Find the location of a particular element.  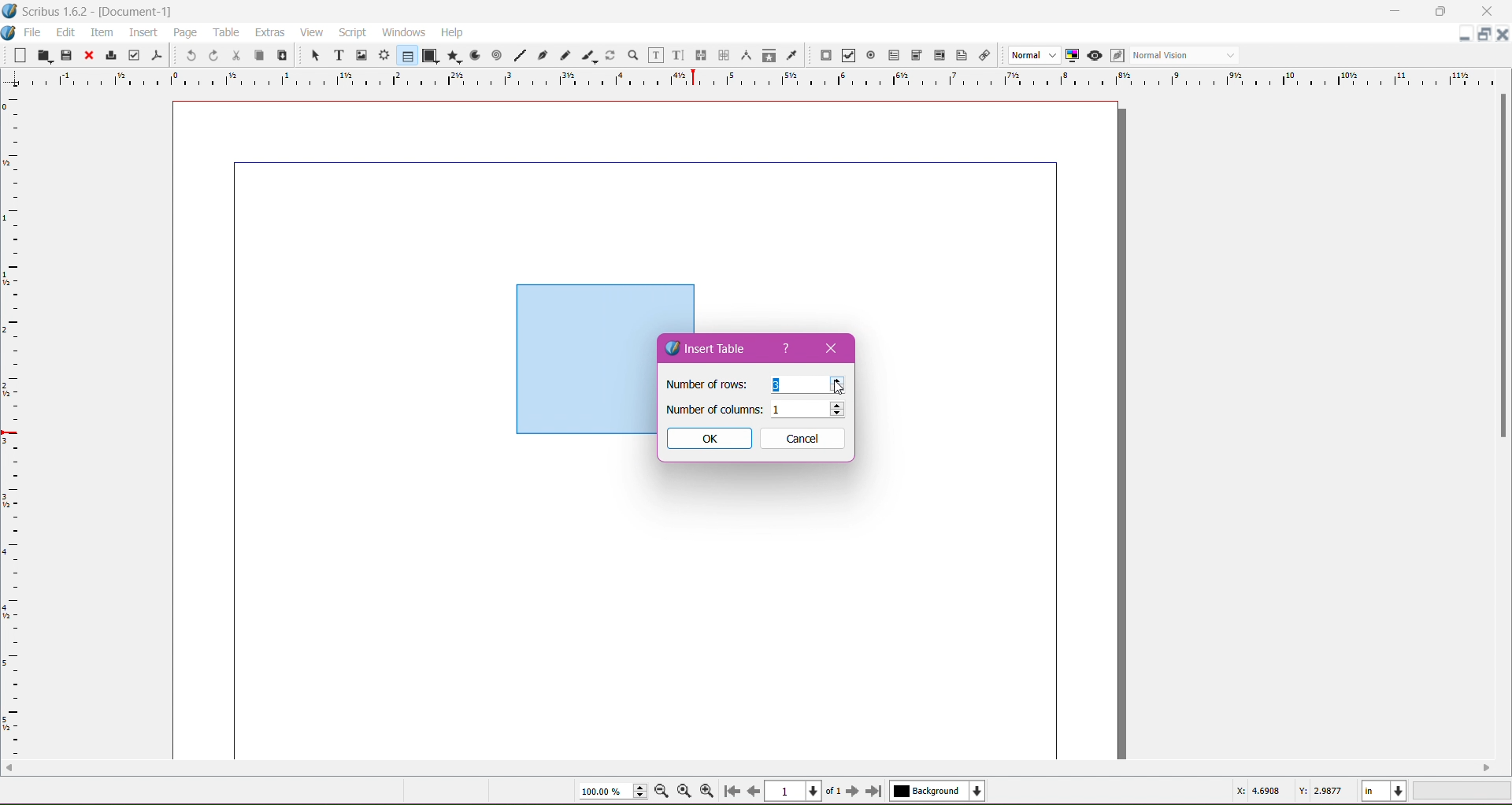

Pdf List Box is located at coordinates (937, 56).